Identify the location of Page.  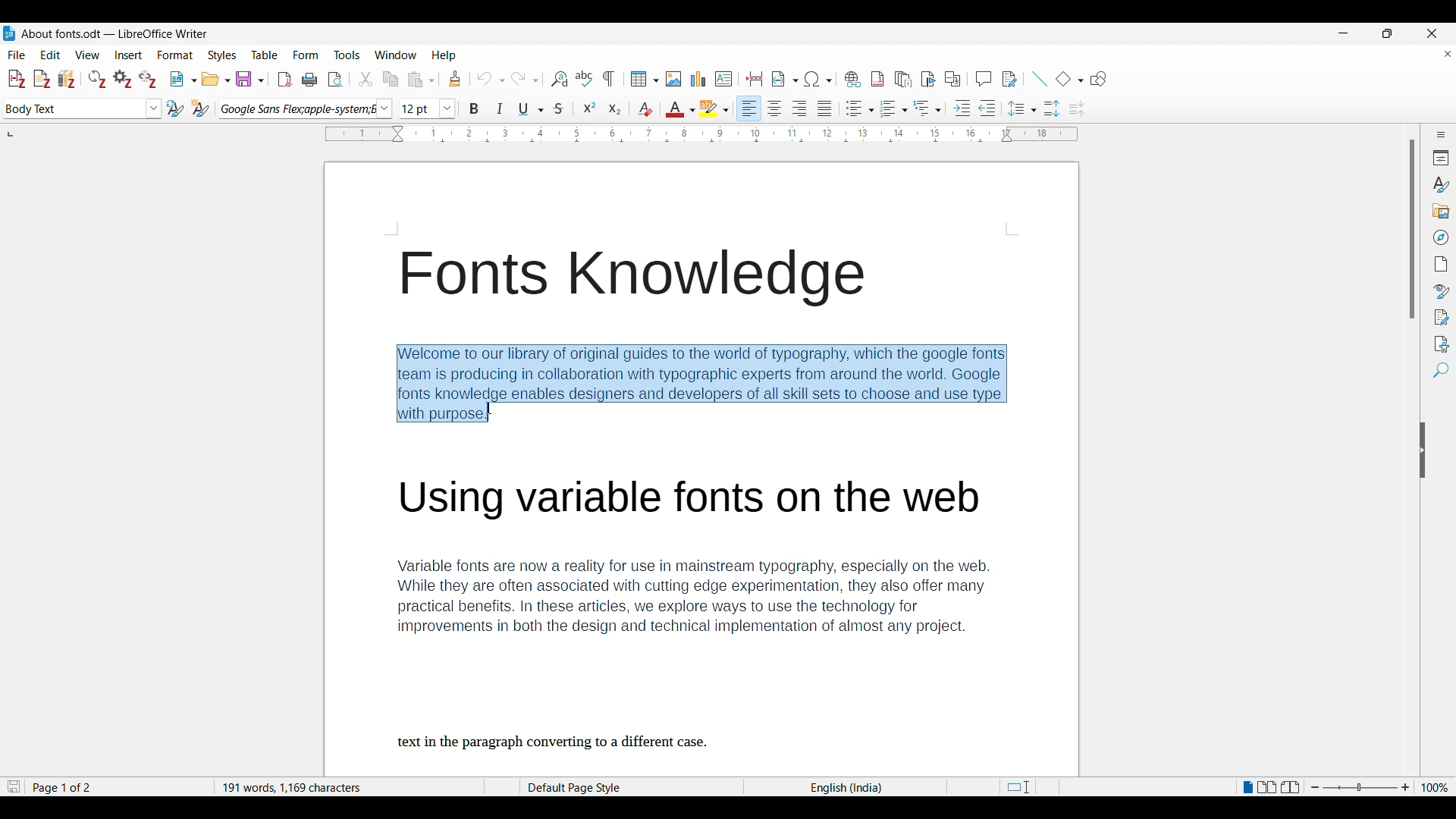
(1441, 264).